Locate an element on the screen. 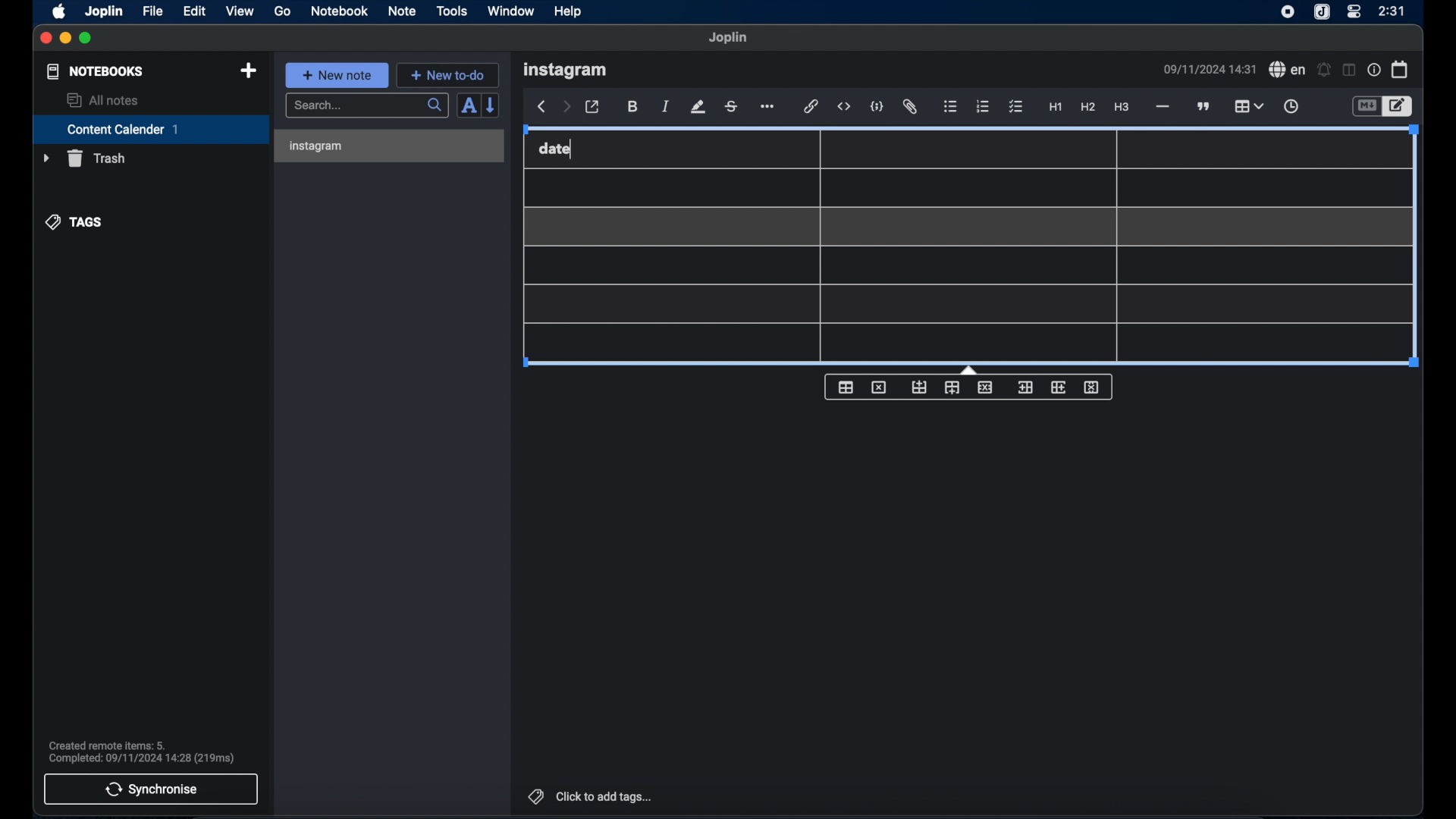  delete column is located at coordinates (1092, 388).